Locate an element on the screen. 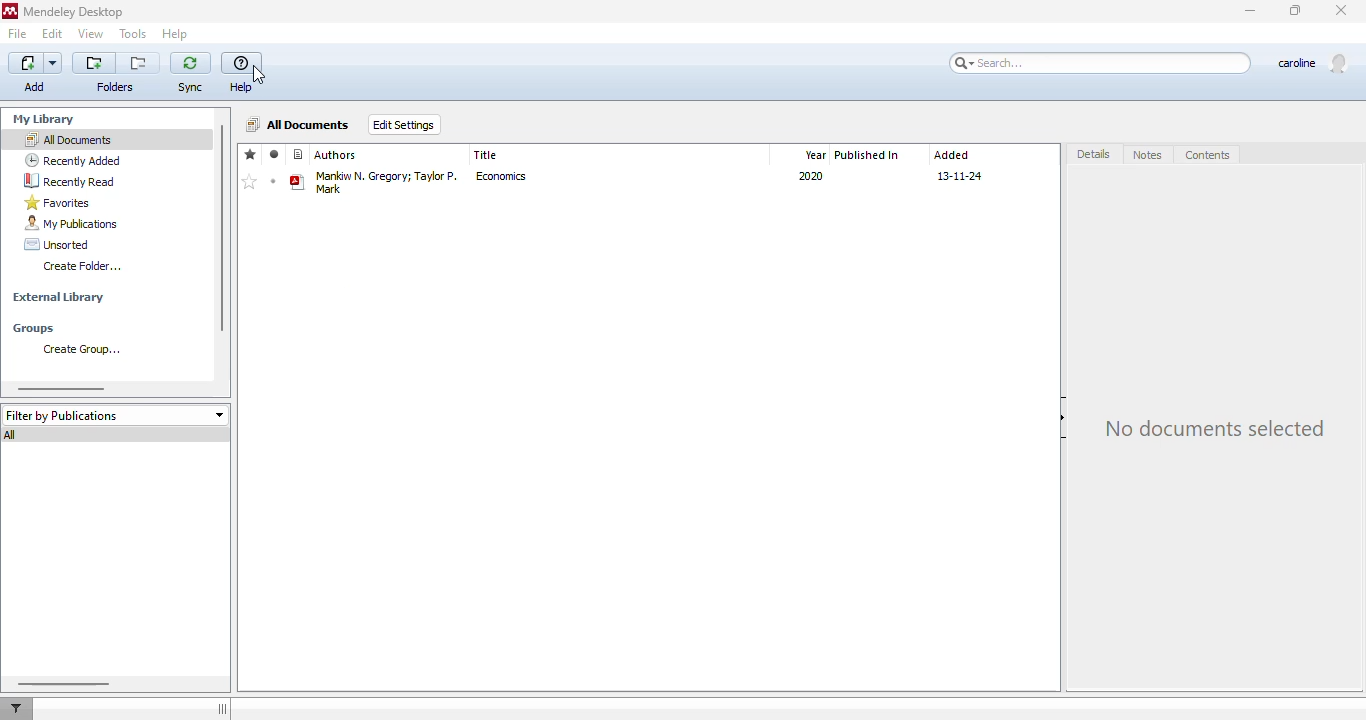  added is located at coordinates (951, 156).